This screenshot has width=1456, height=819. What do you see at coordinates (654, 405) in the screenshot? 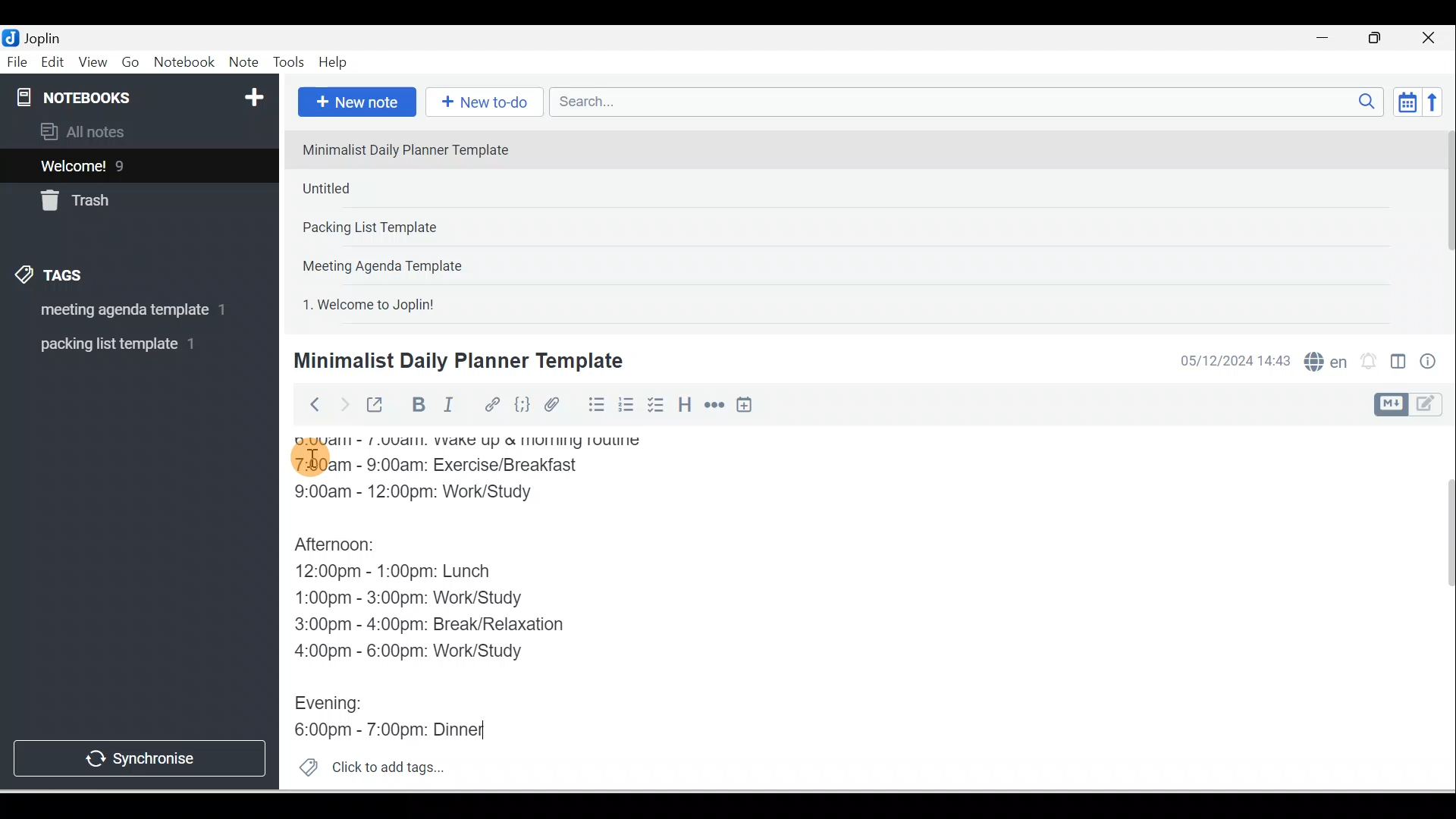
I see `Checkbox` at bounding box center [654, 405].